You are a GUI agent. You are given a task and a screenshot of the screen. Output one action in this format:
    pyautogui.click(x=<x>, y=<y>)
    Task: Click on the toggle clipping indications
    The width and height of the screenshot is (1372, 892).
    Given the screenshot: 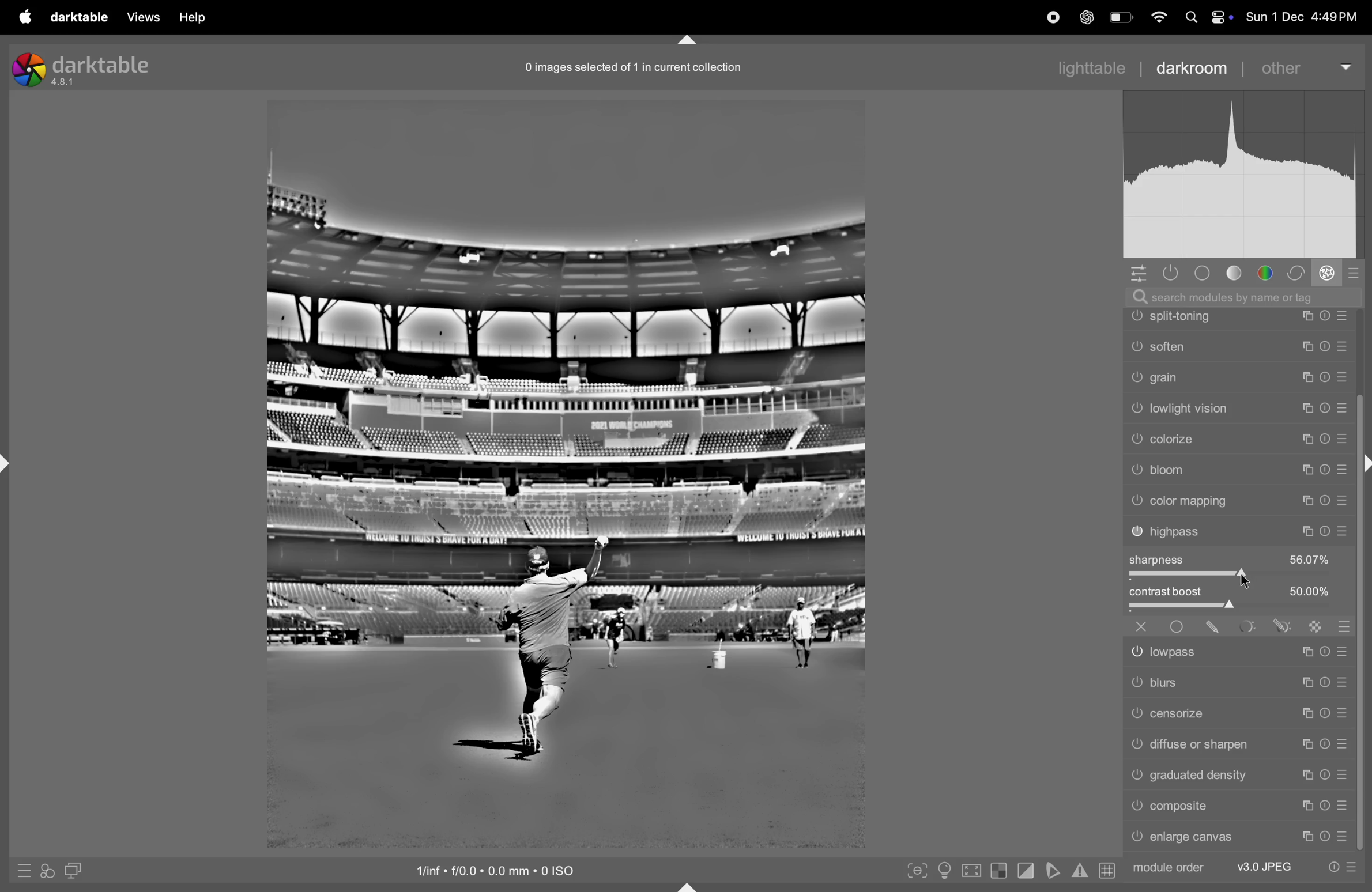 What is the action you would take?
    pyautogui.click(x=1025, y=872)
    